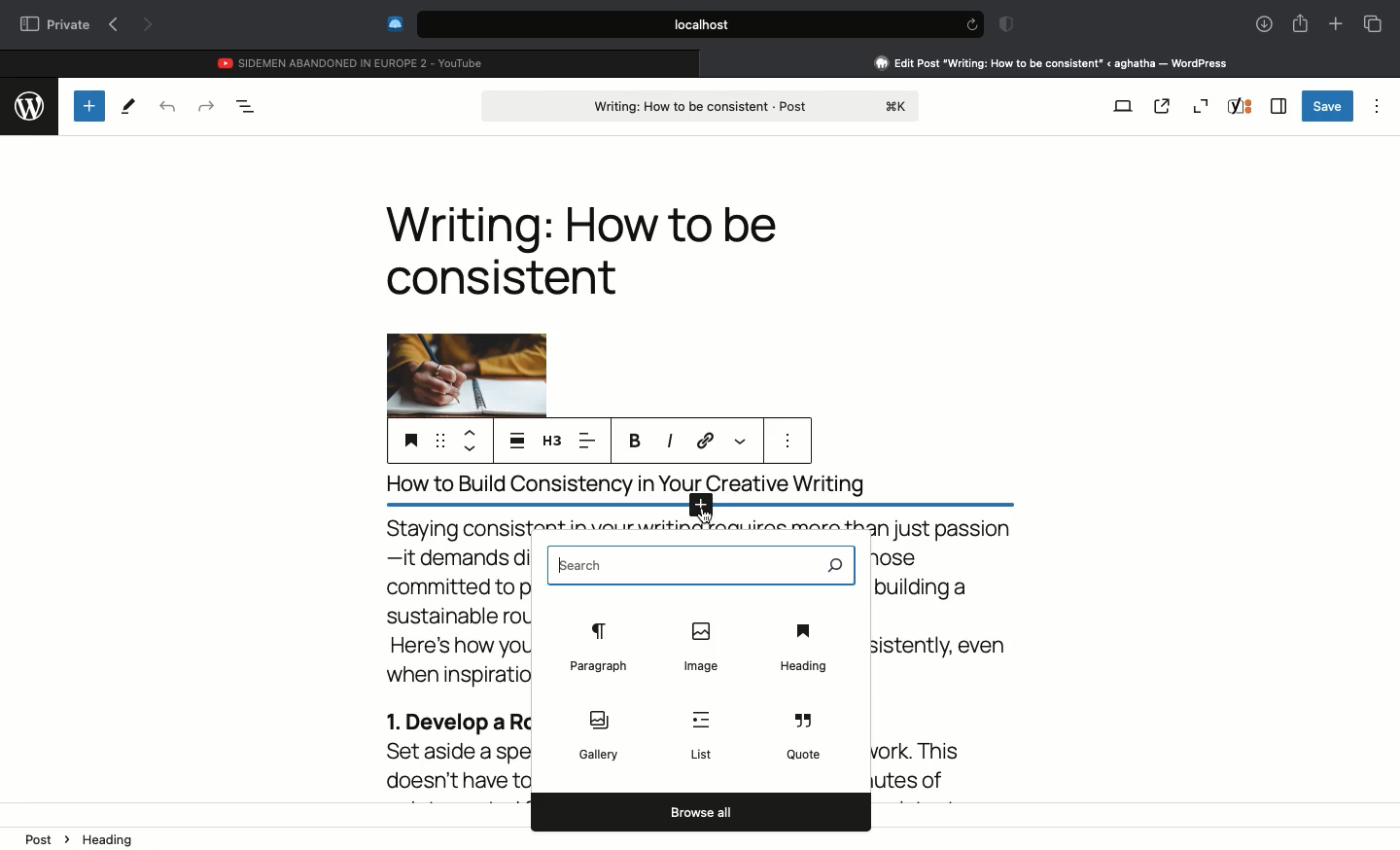 The height and width of the screenshot is (850, 1400). Describe the element at coordinates (28, 103) in the screenshot. I see `wordpress` at that location.